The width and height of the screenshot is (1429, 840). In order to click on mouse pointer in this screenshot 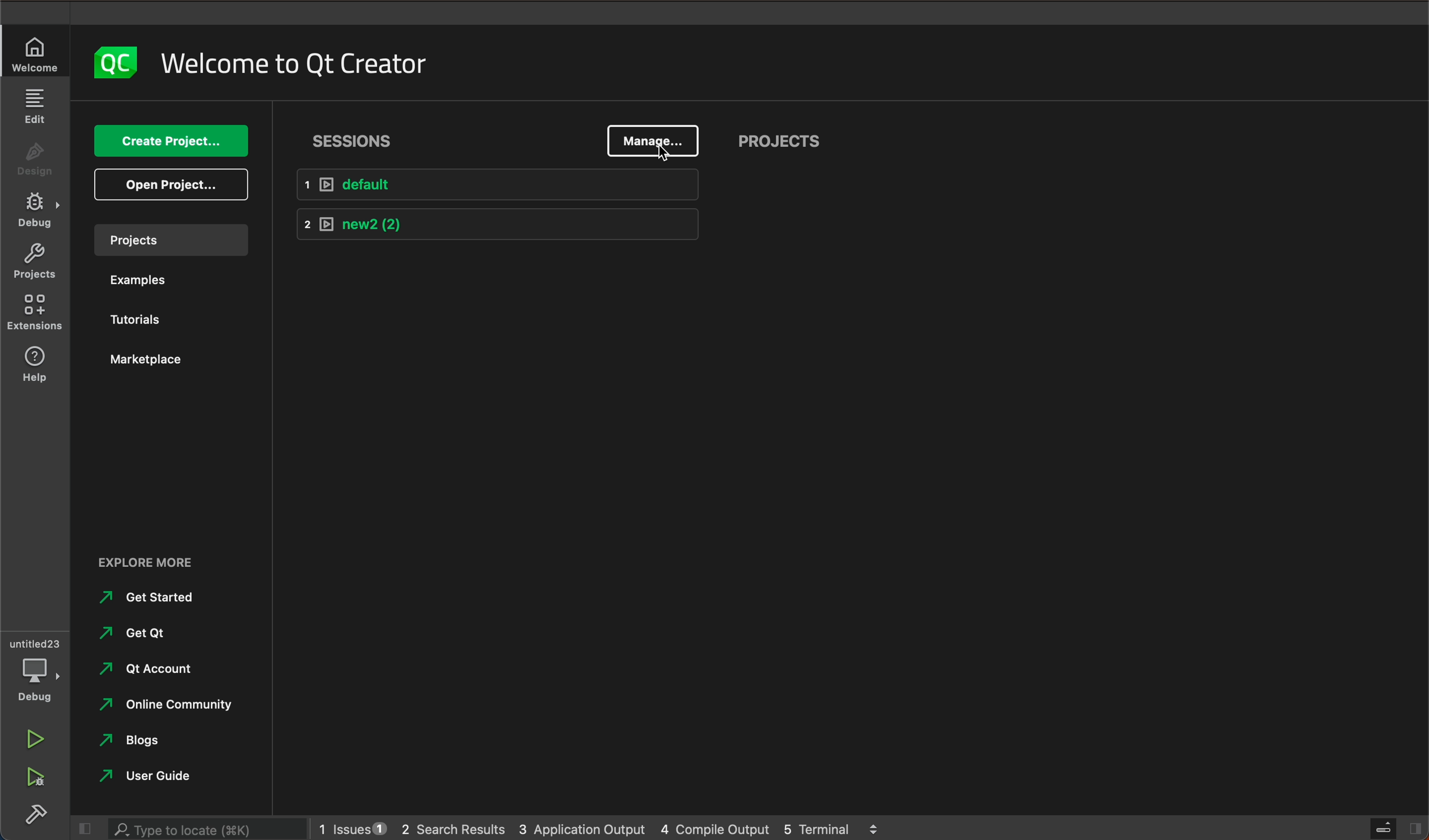, I will do `click(665, 155)`.